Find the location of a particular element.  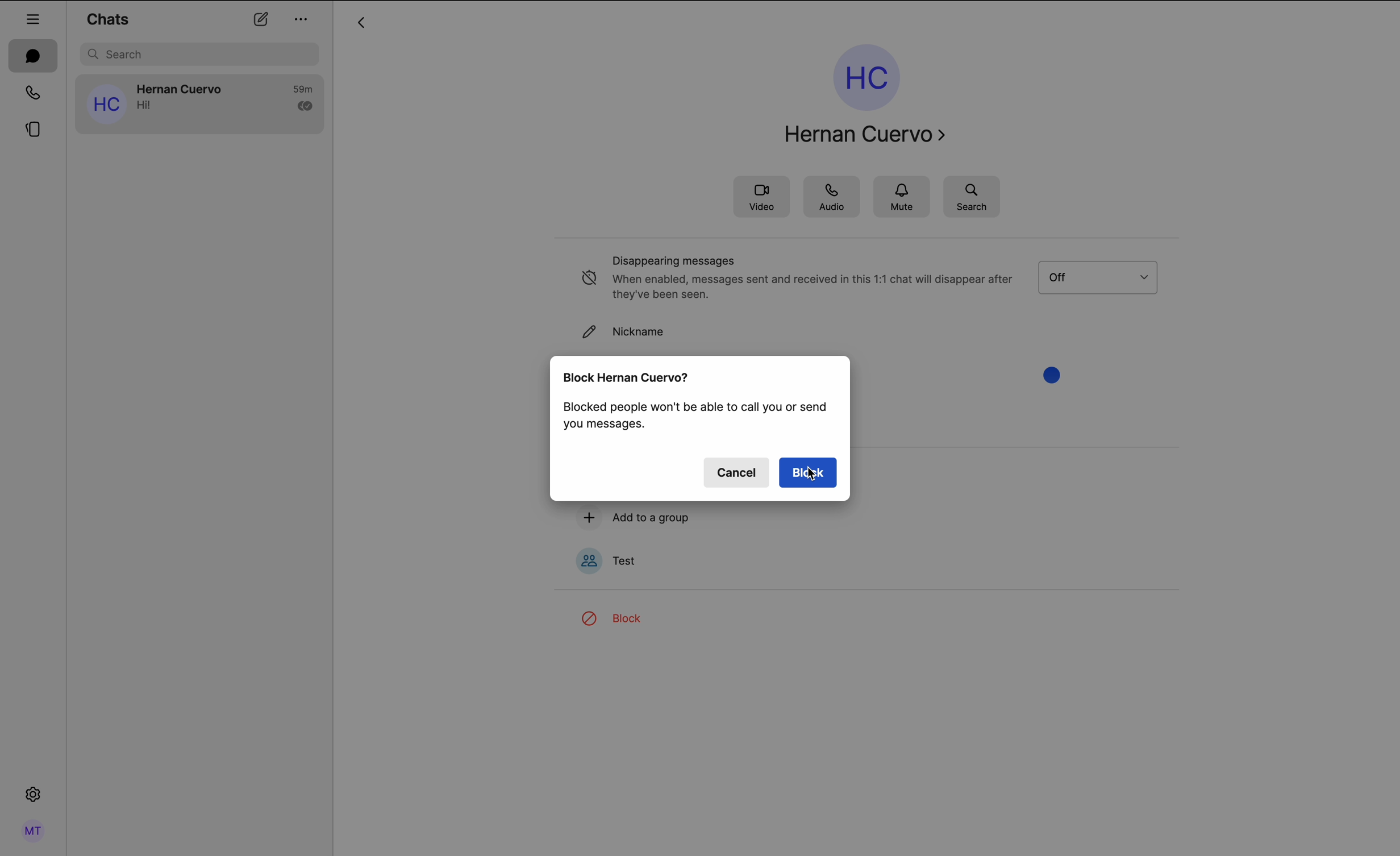

cancel button is located at coordinates (737, 472).